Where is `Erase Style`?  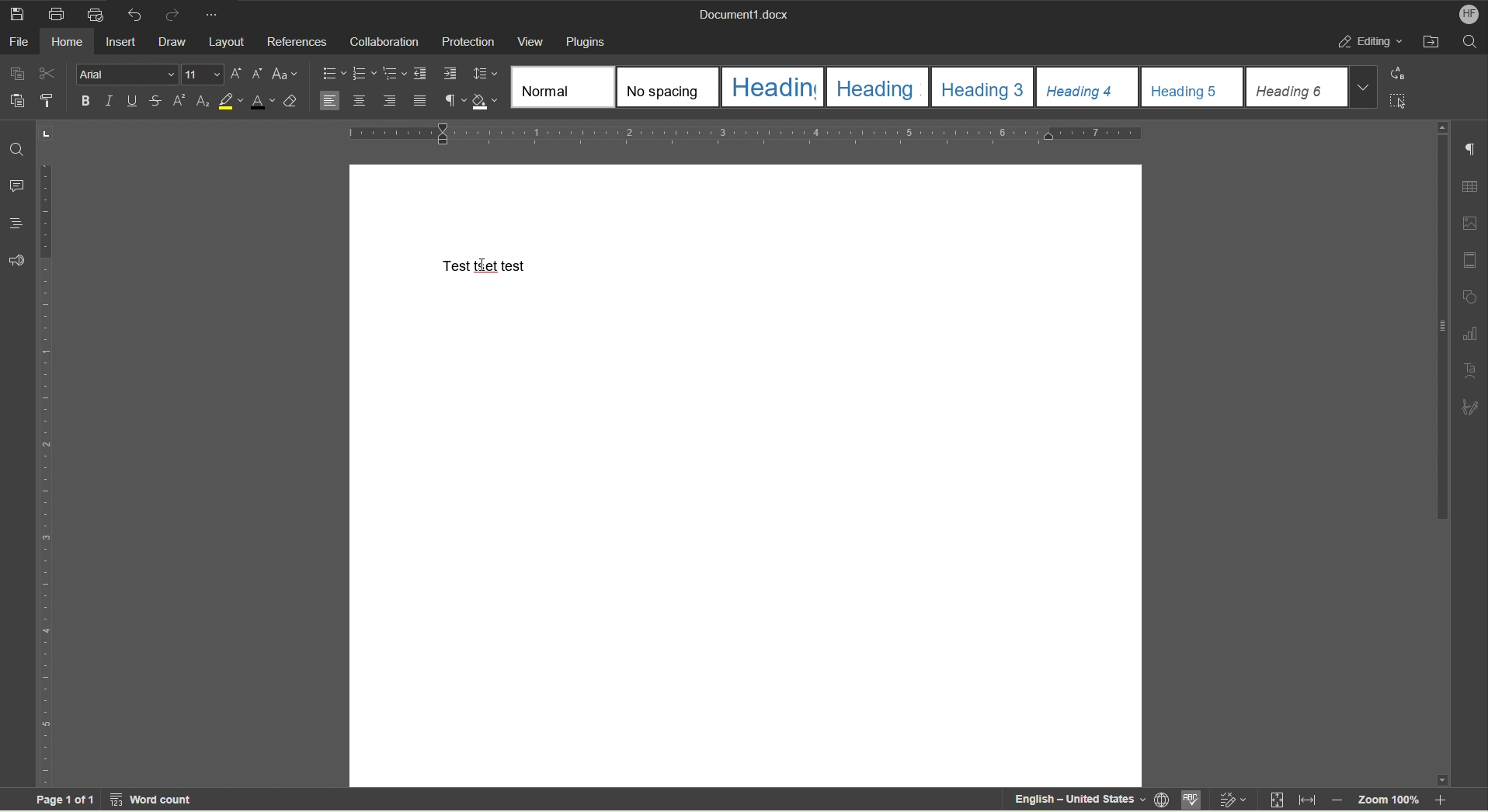
Erase Style is located at coordinates (291, 103).